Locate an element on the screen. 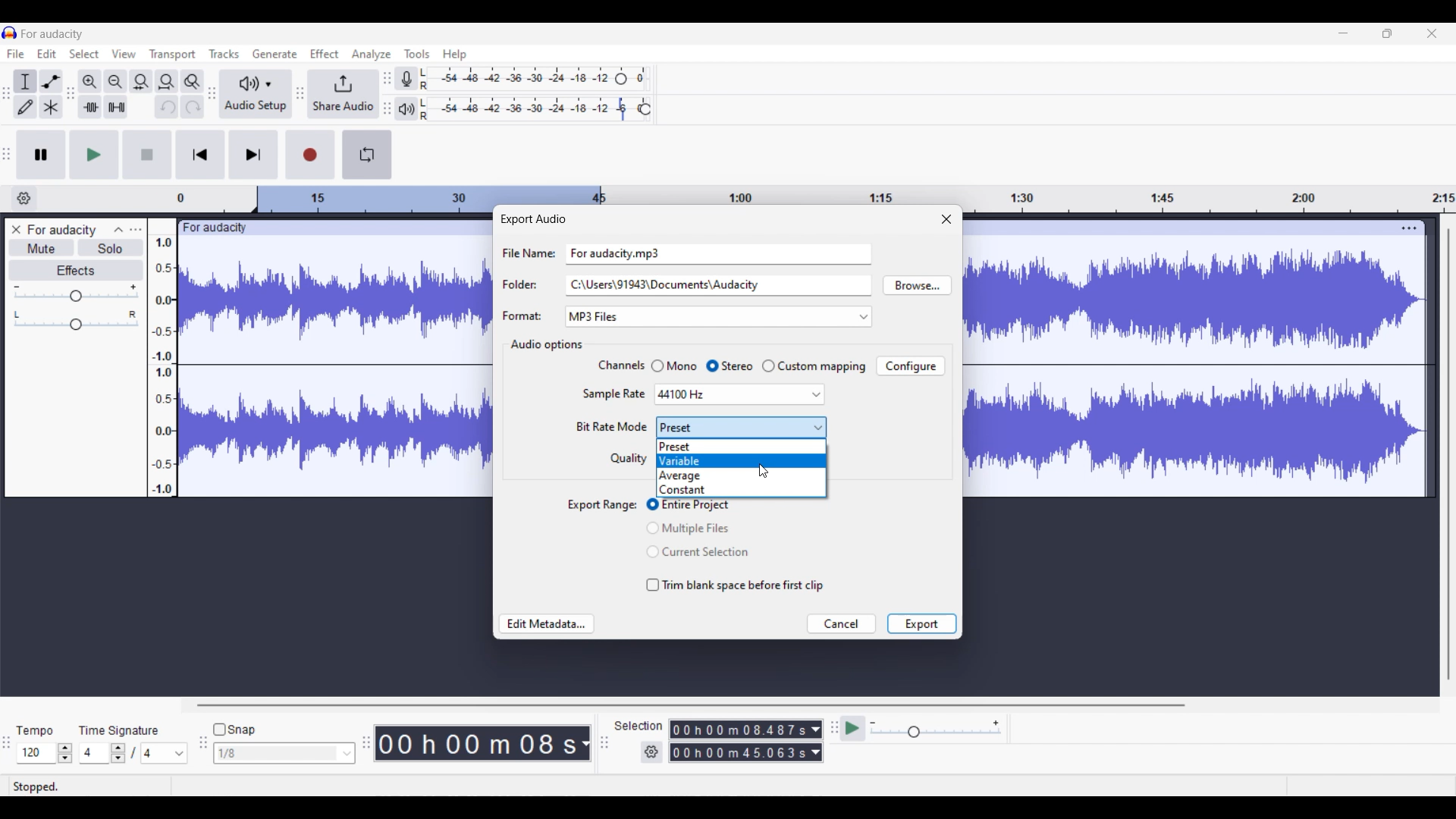  Close track is located at coordinates (17, 229).